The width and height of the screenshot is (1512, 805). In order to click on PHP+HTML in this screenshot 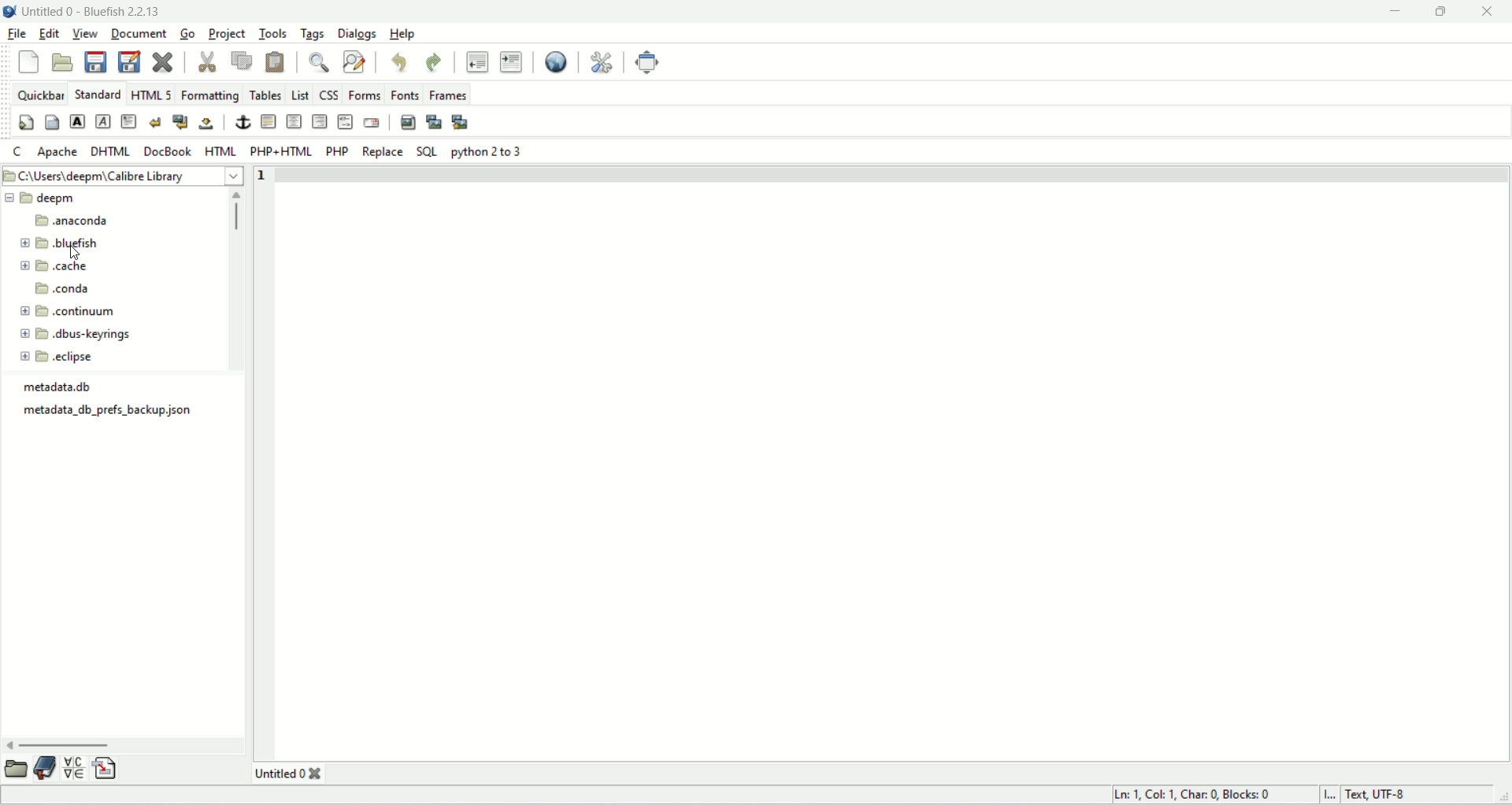, I will do `click(280, 150)`.